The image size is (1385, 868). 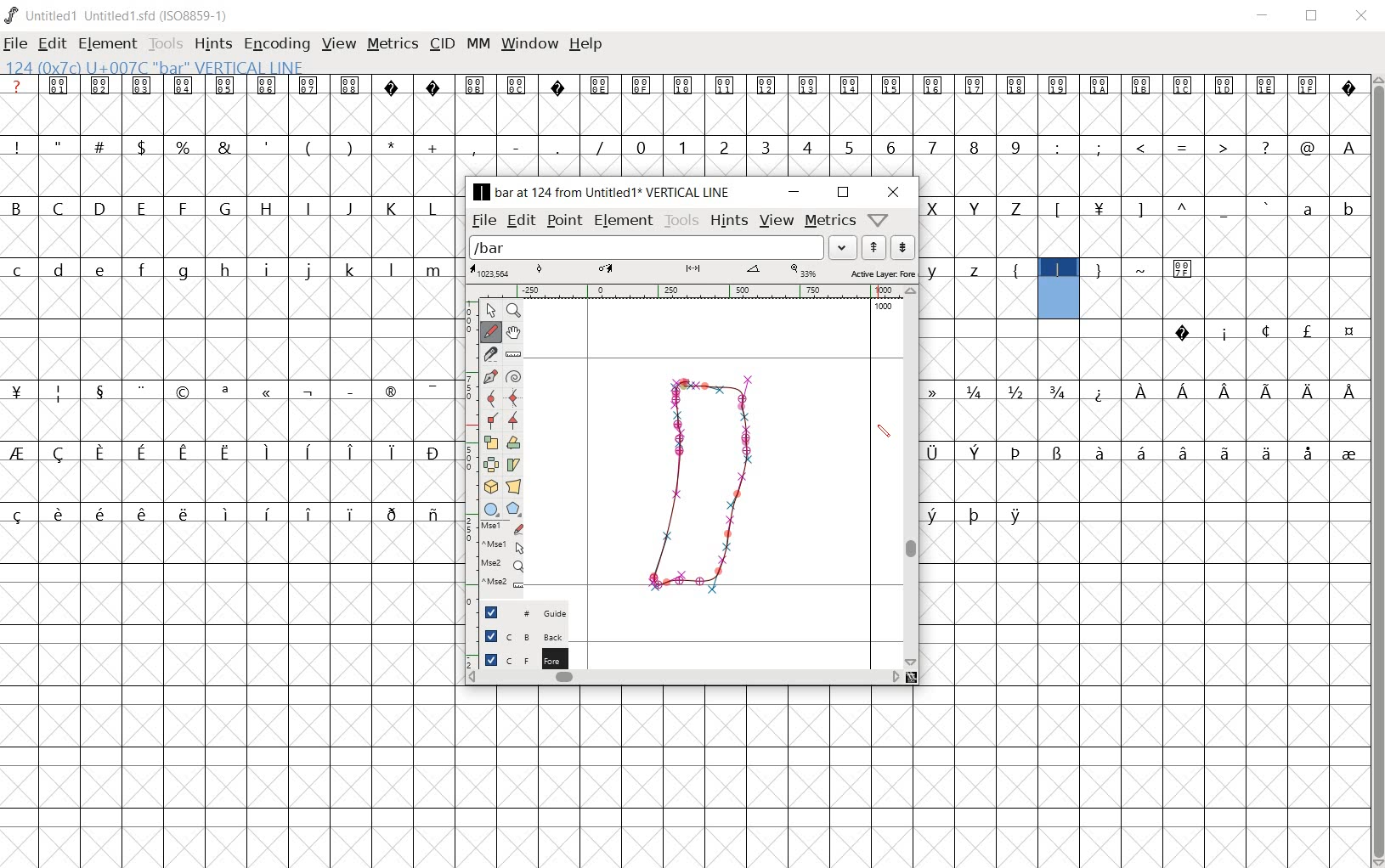 What do you see at coordinates (843, 194) in the screenshot?
I see `restore down` at bounding box center [843, 194].